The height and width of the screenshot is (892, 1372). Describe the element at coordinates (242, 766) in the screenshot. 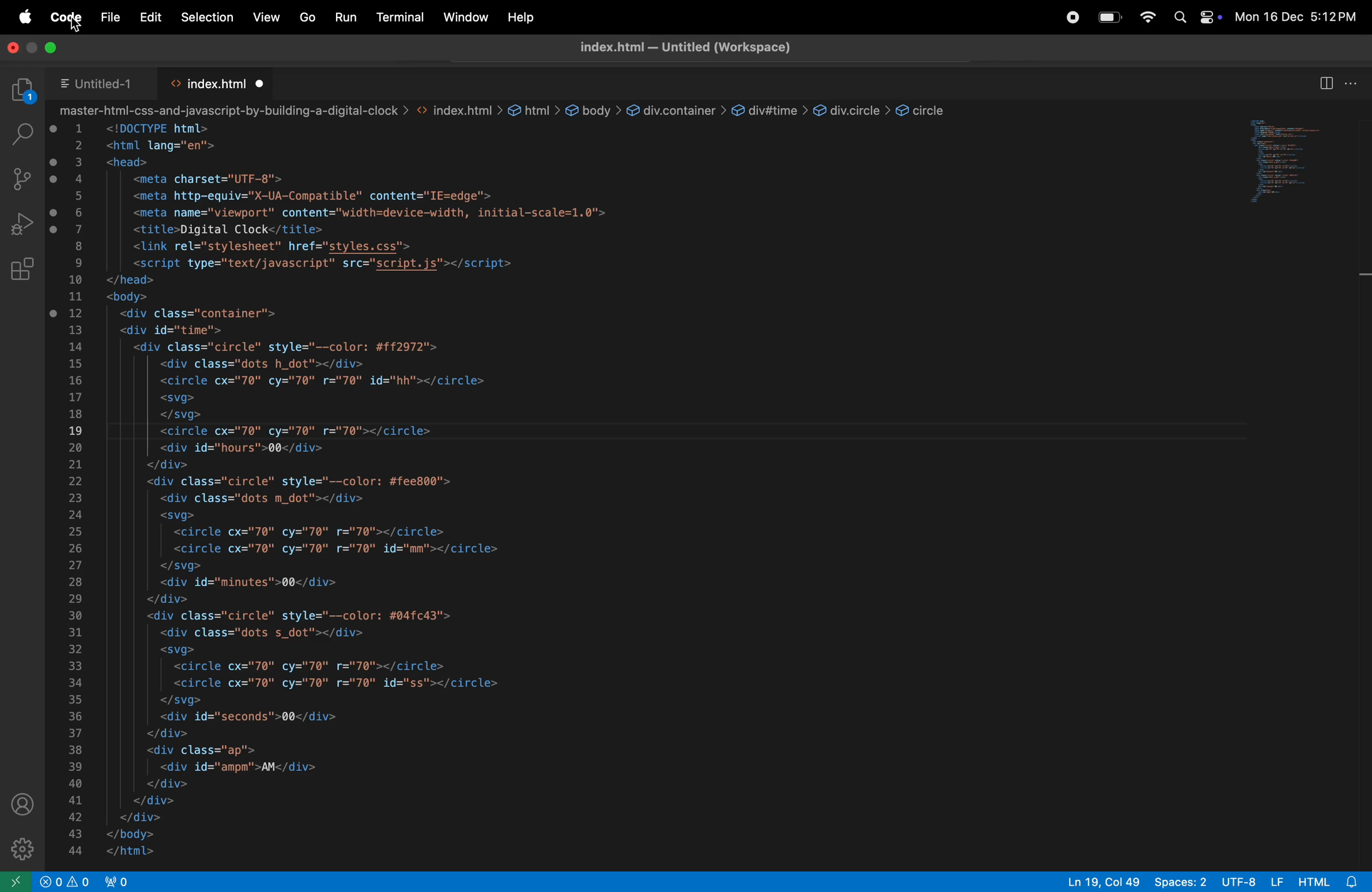

I see `<div id="ampm'>AM</div>` at that location.